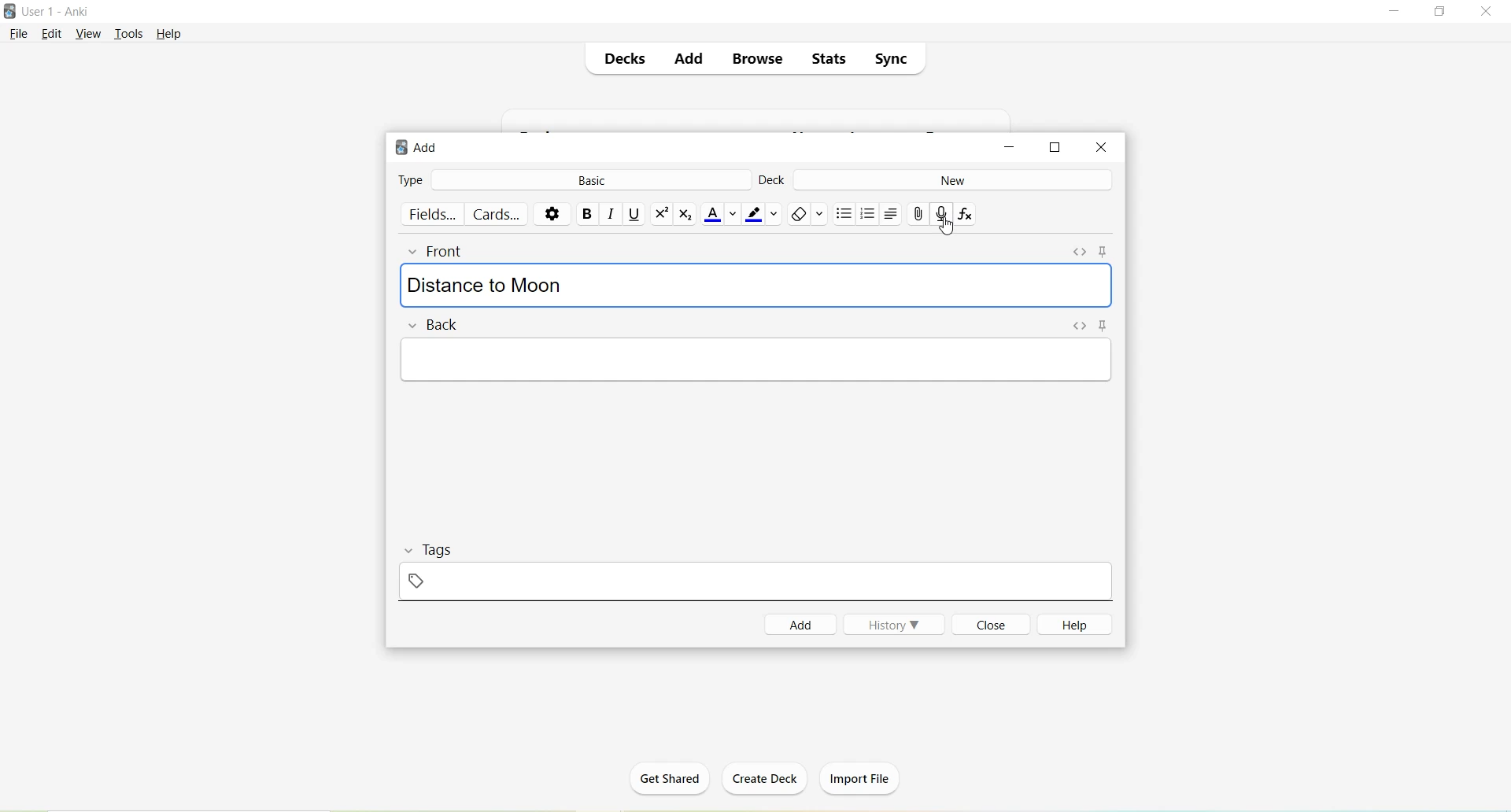 Image resolution: width=1511 pixels, height=812 pixels. I want to click on Remove formatting, so click(807, 216).